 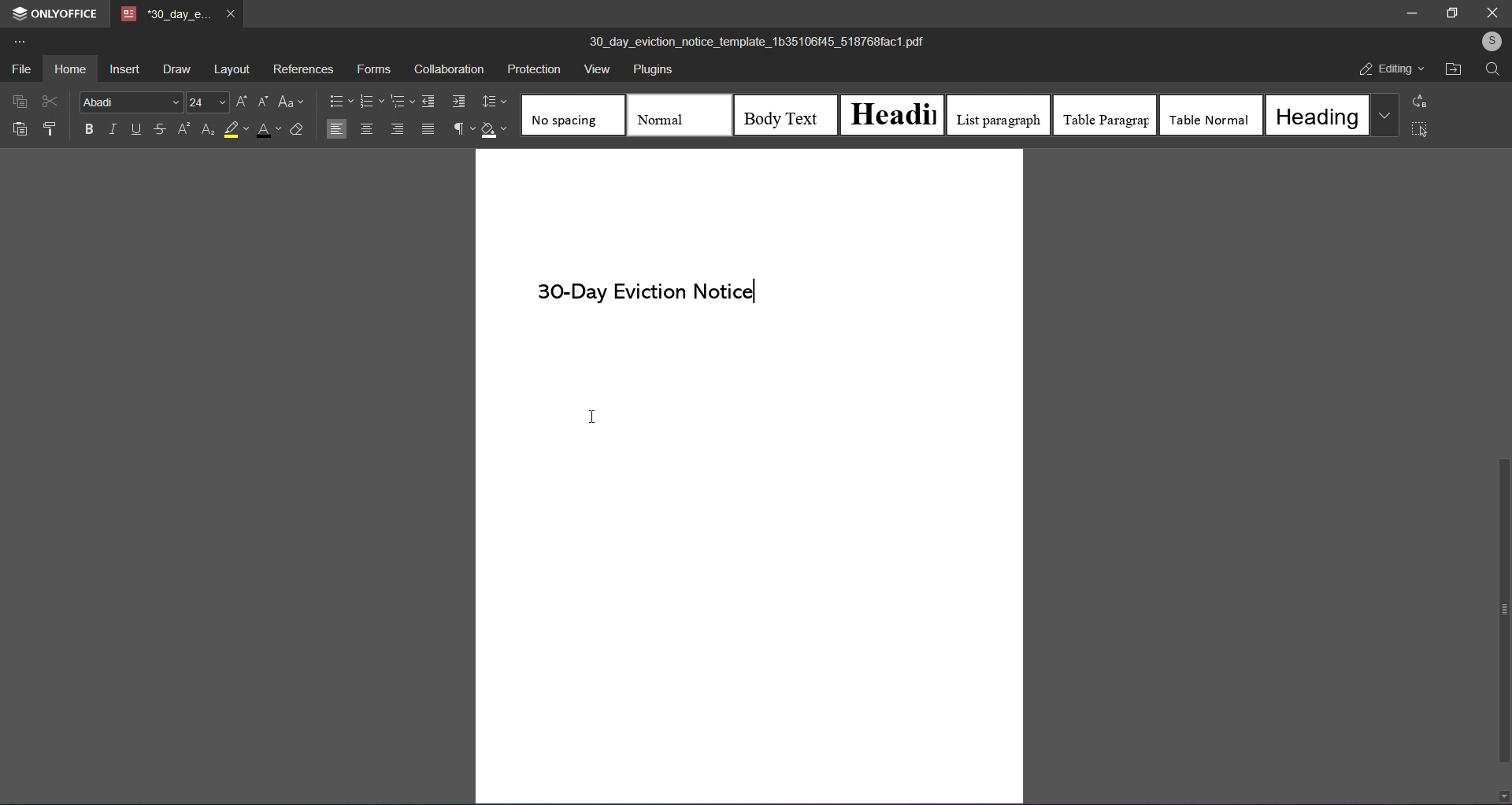 What do you see at coordinates (1384, 114) in the screenshot?
I see `more` at bounding box center [1384, 114].